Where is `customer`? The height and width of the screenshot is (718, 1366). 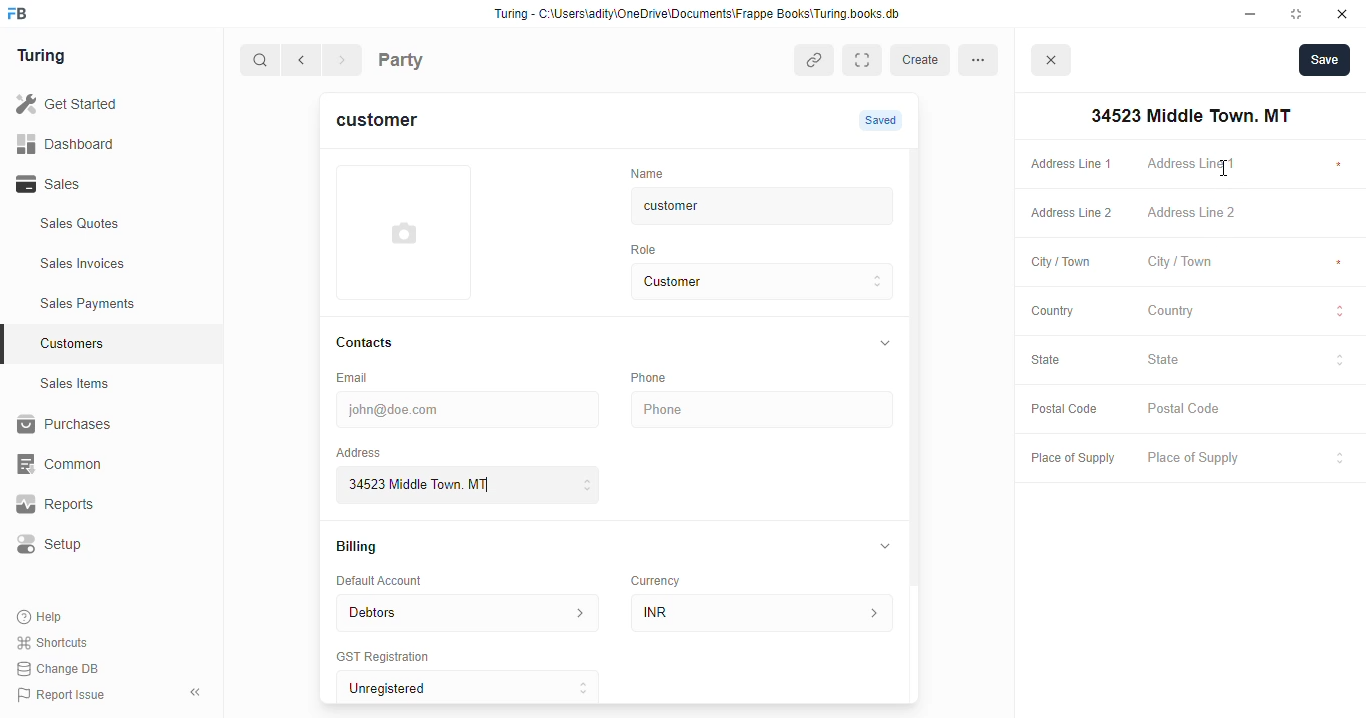
customer is located at coordinates (746, 206).